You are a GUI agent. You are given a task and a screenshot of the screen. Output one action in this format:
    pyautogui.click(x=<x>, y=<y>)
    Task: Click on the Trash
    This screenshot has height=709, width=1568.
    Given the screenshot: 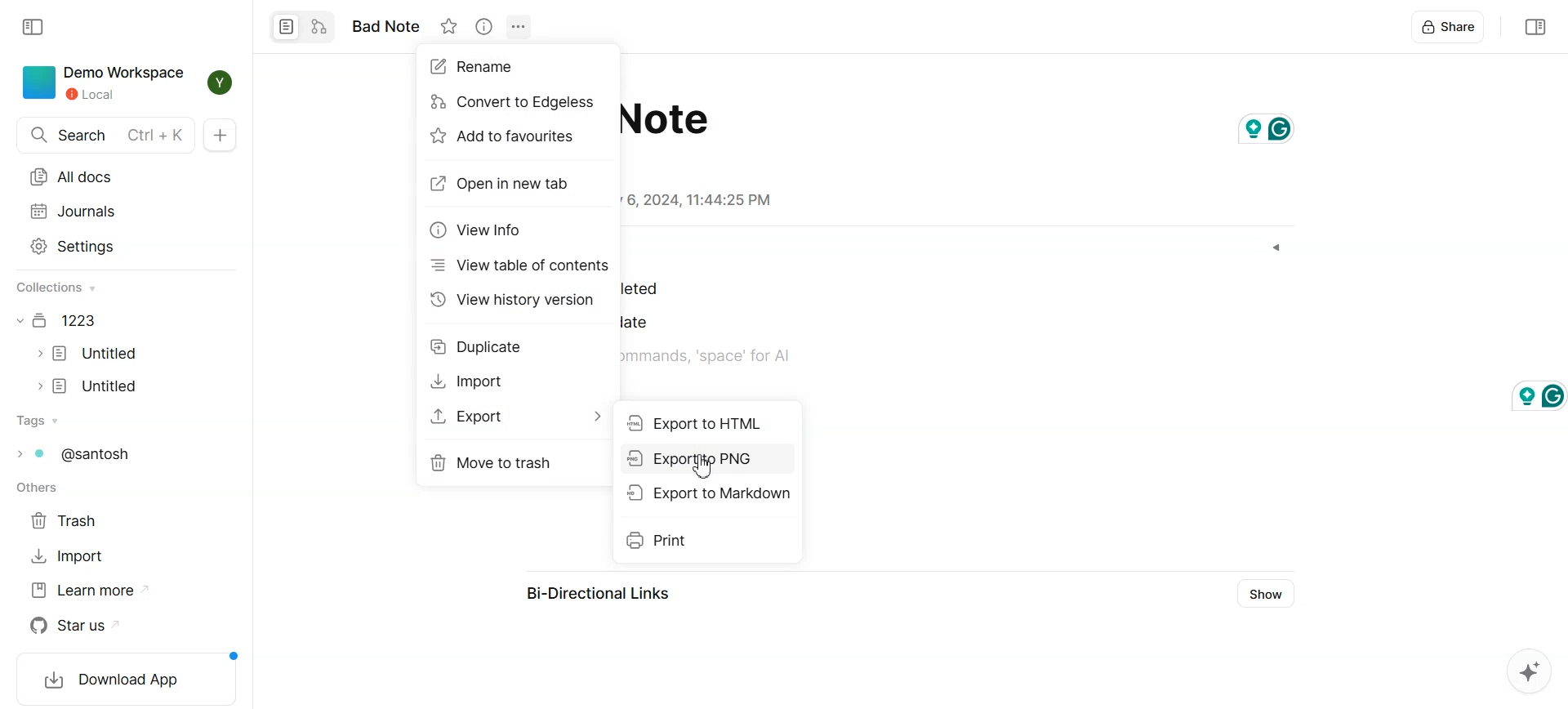 What is the action you would take?
    pyautogui.click(x=69, y=520)
    